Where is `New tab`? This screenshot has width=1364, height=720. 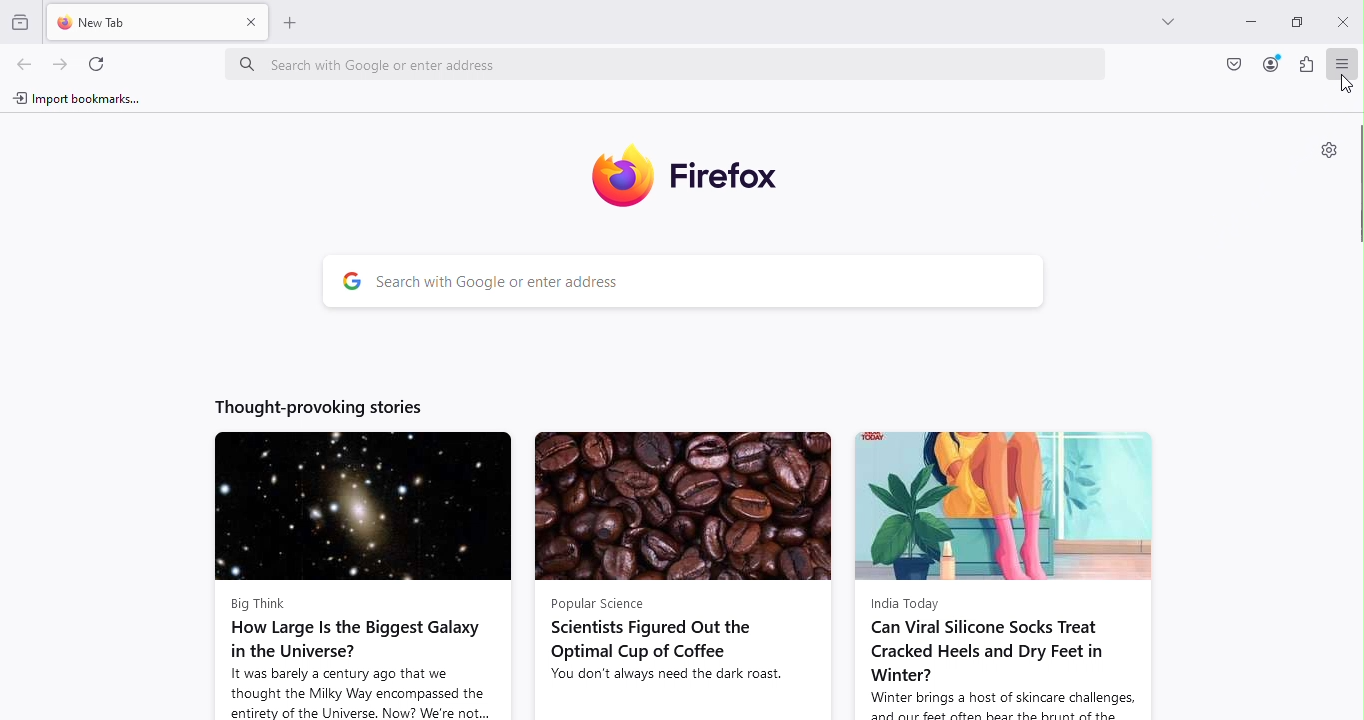
New tab is located at coordinates (136, 21).